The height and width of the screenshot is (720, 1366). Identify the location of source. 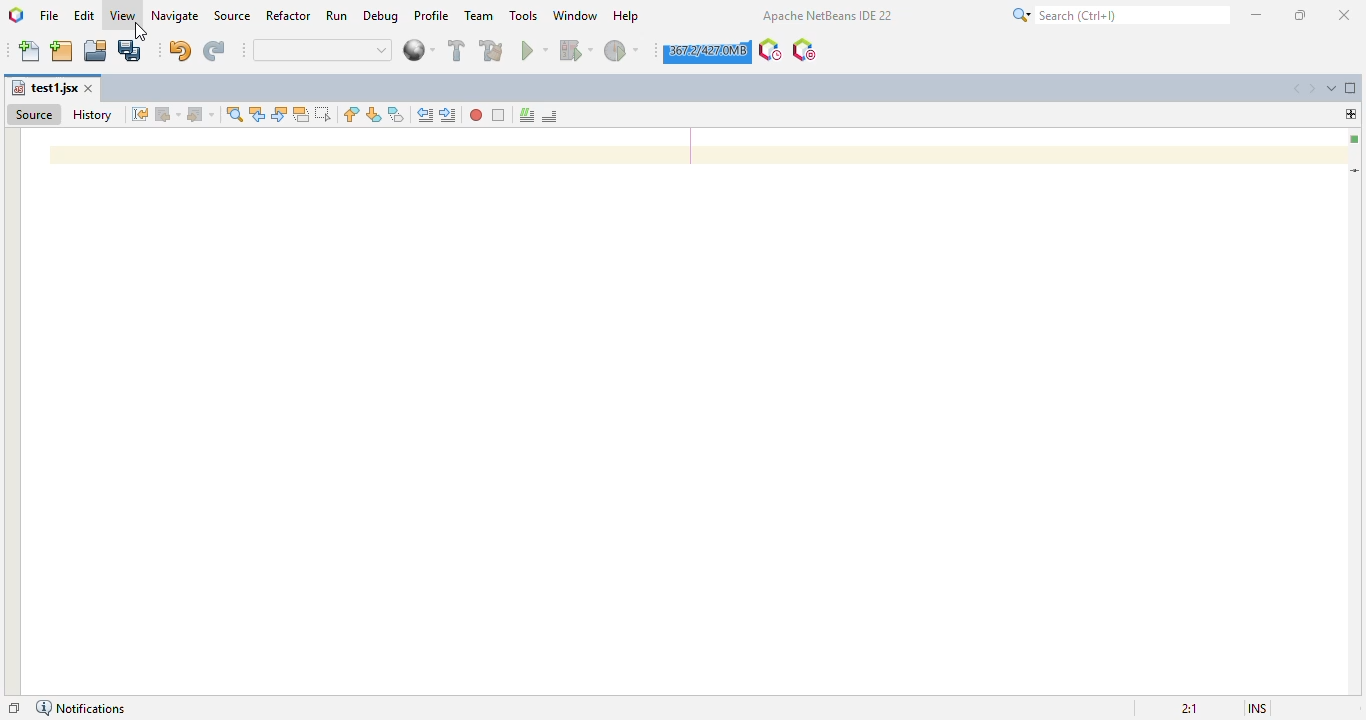
(233, 15).